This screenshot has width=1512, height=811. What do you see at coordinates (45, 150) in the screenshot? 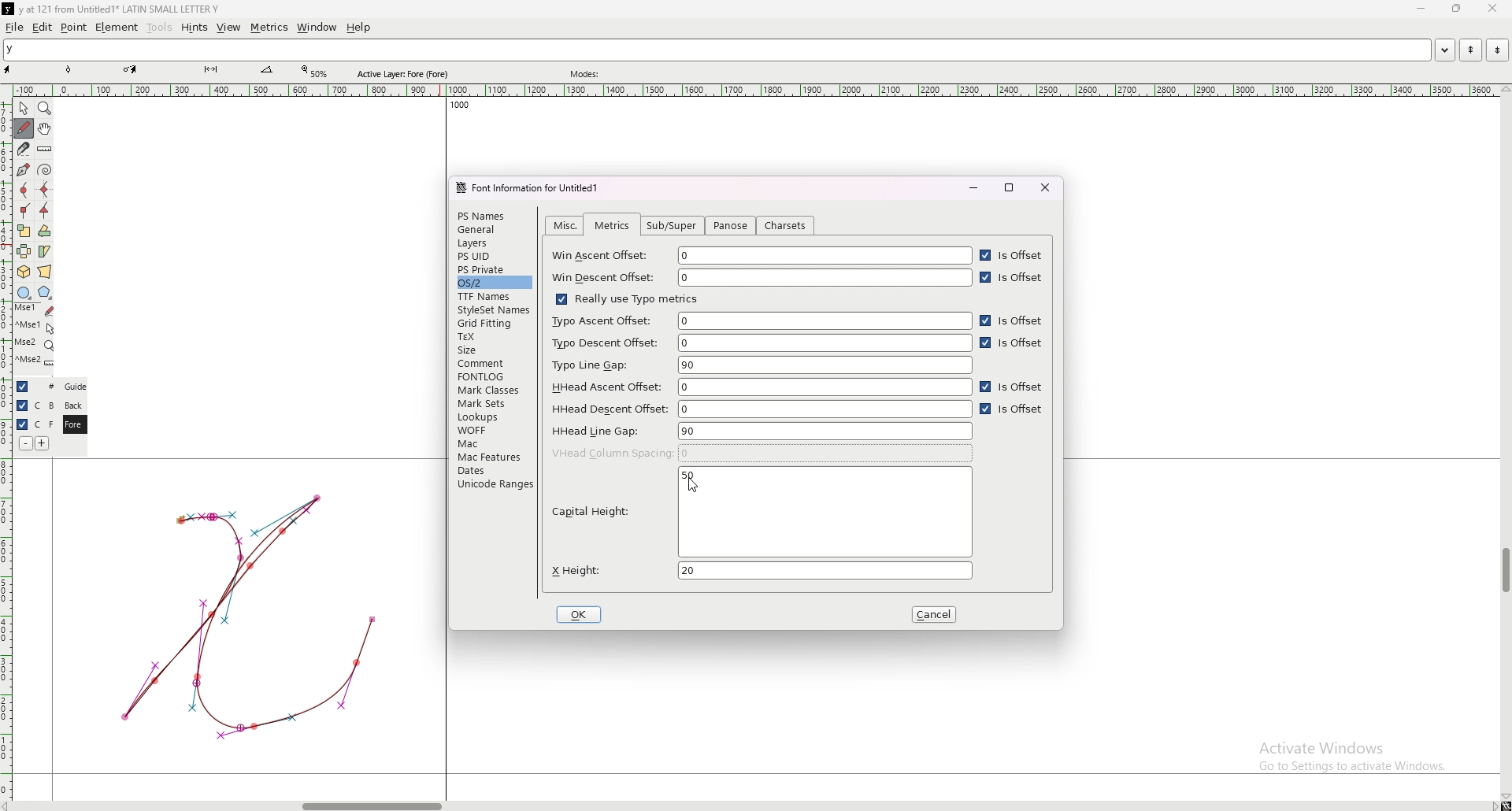
I see `measure distance` at bounding box center [45, 150].